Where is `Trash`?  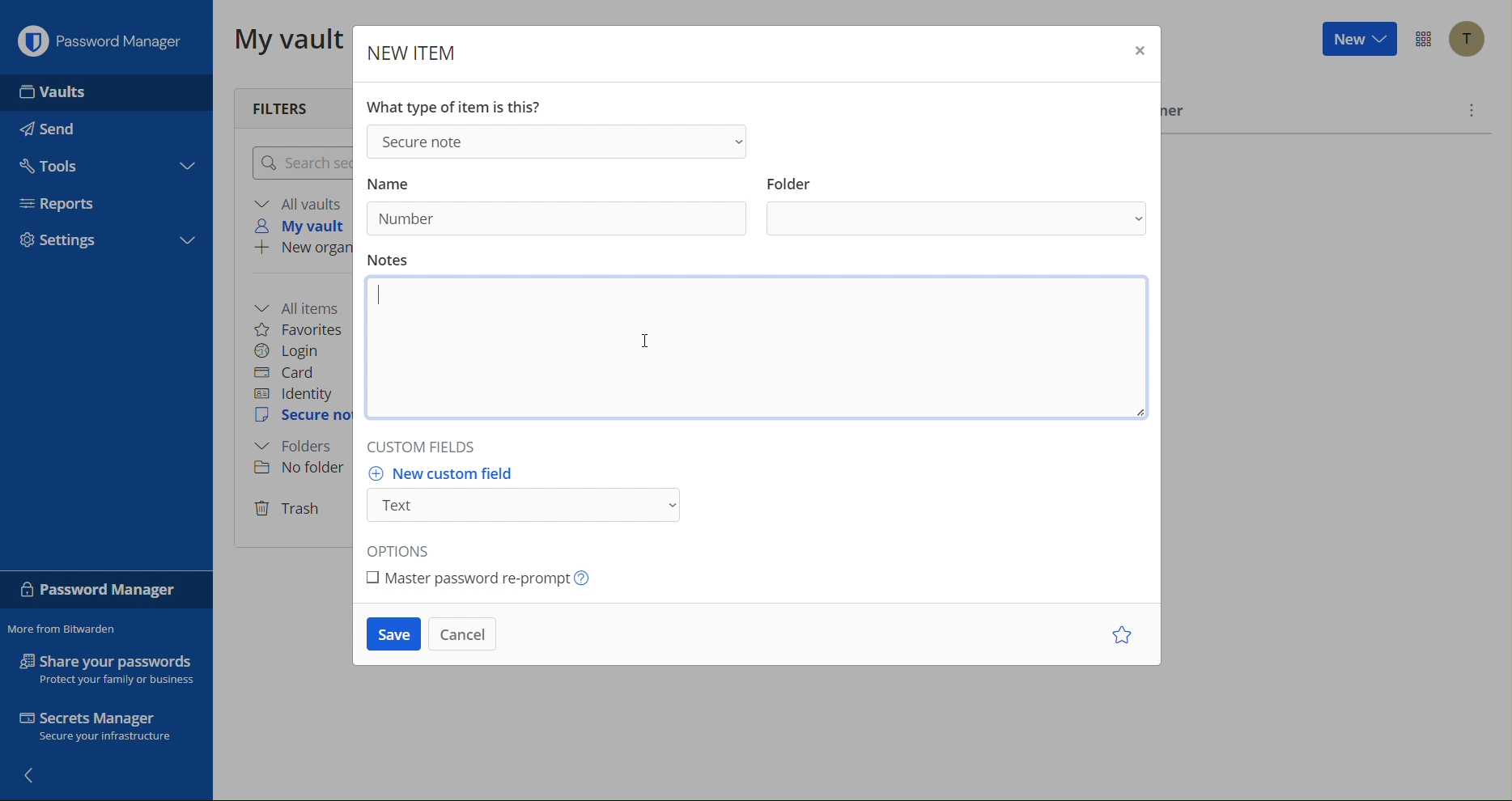 Trash is located at coordinates (291, 507).